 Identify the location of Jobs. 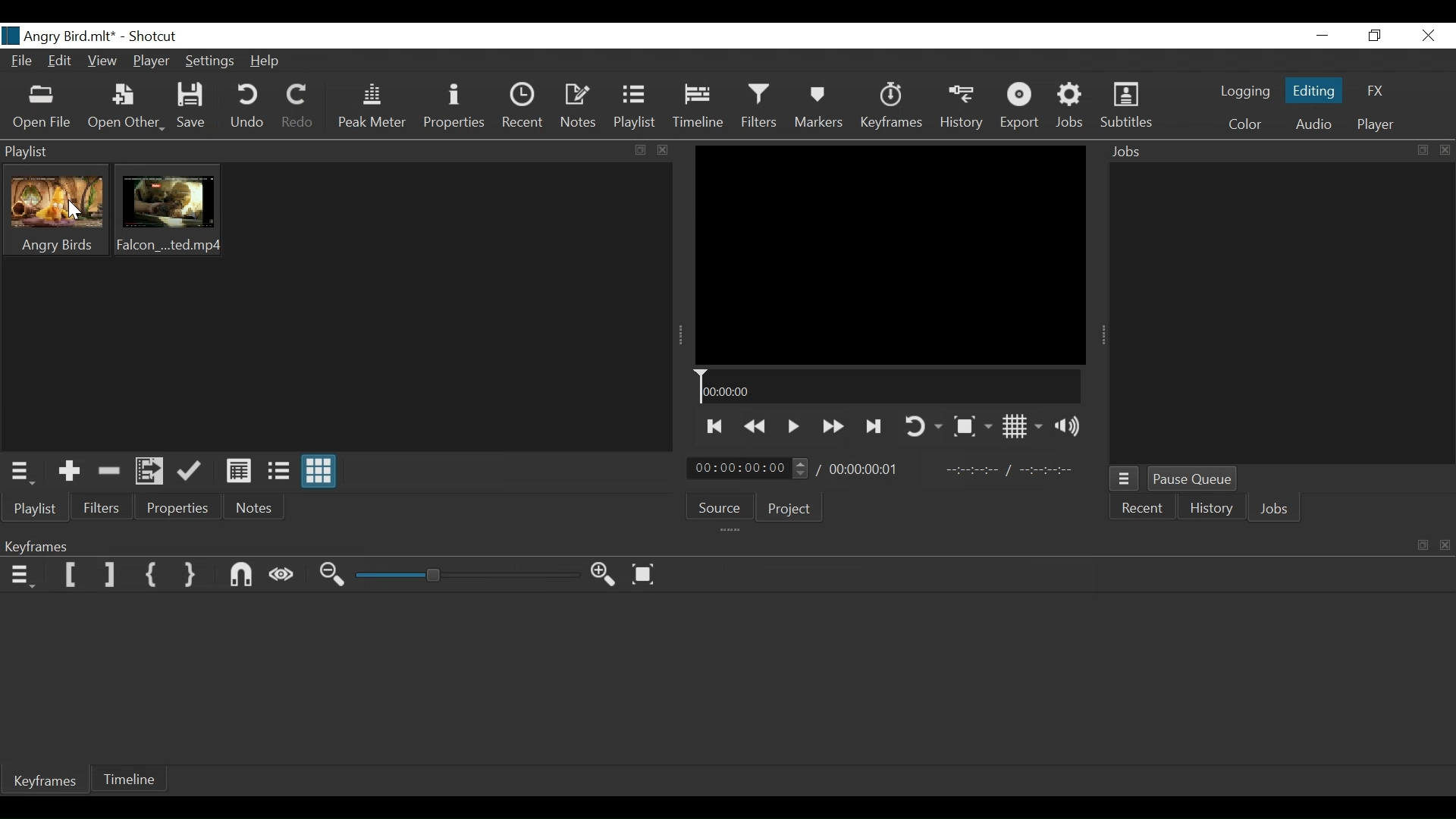
(1070, 108).